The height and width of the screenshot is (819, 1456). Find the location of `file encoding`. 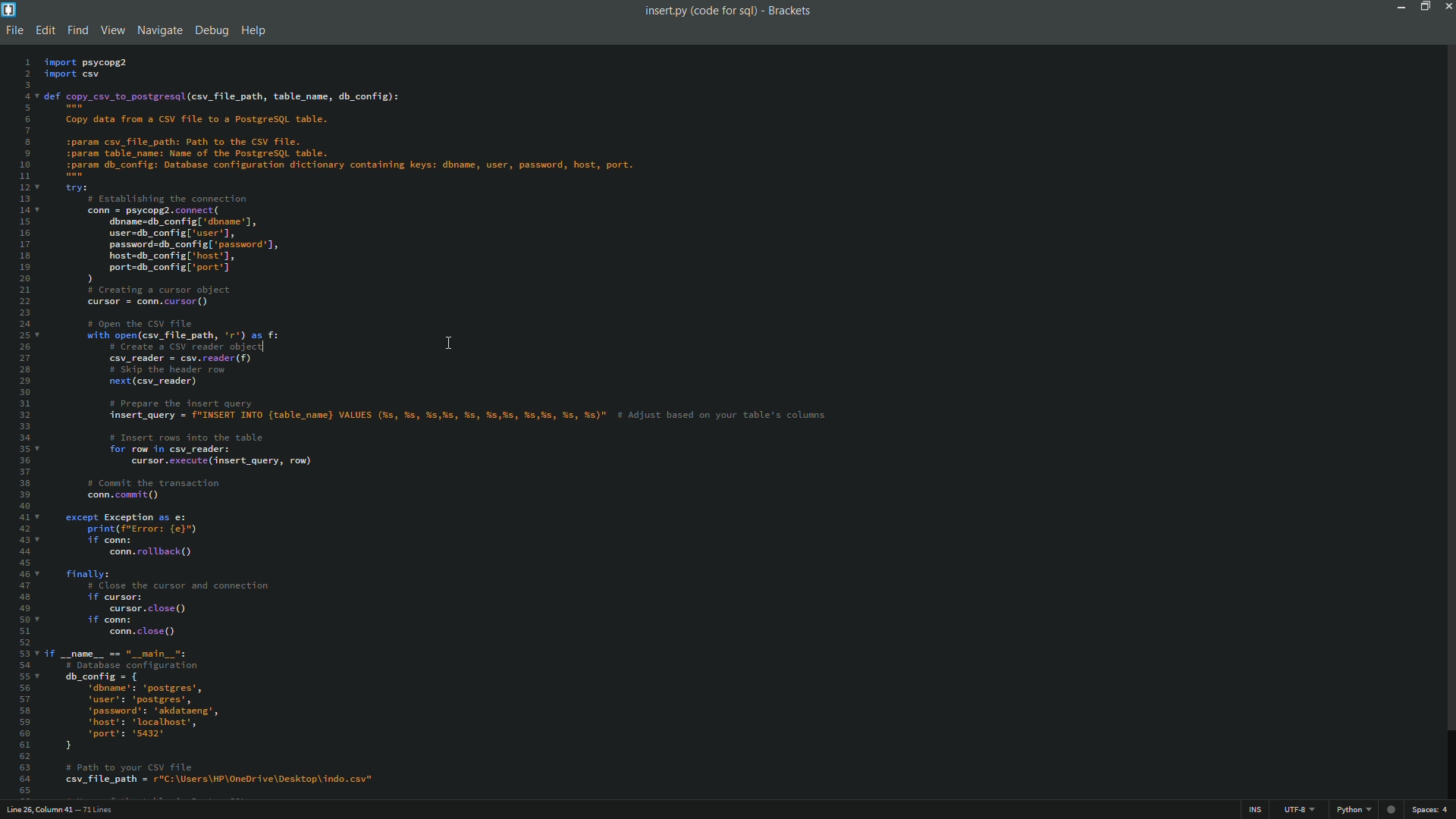

file encoding is located at coordinates (1301, 811).